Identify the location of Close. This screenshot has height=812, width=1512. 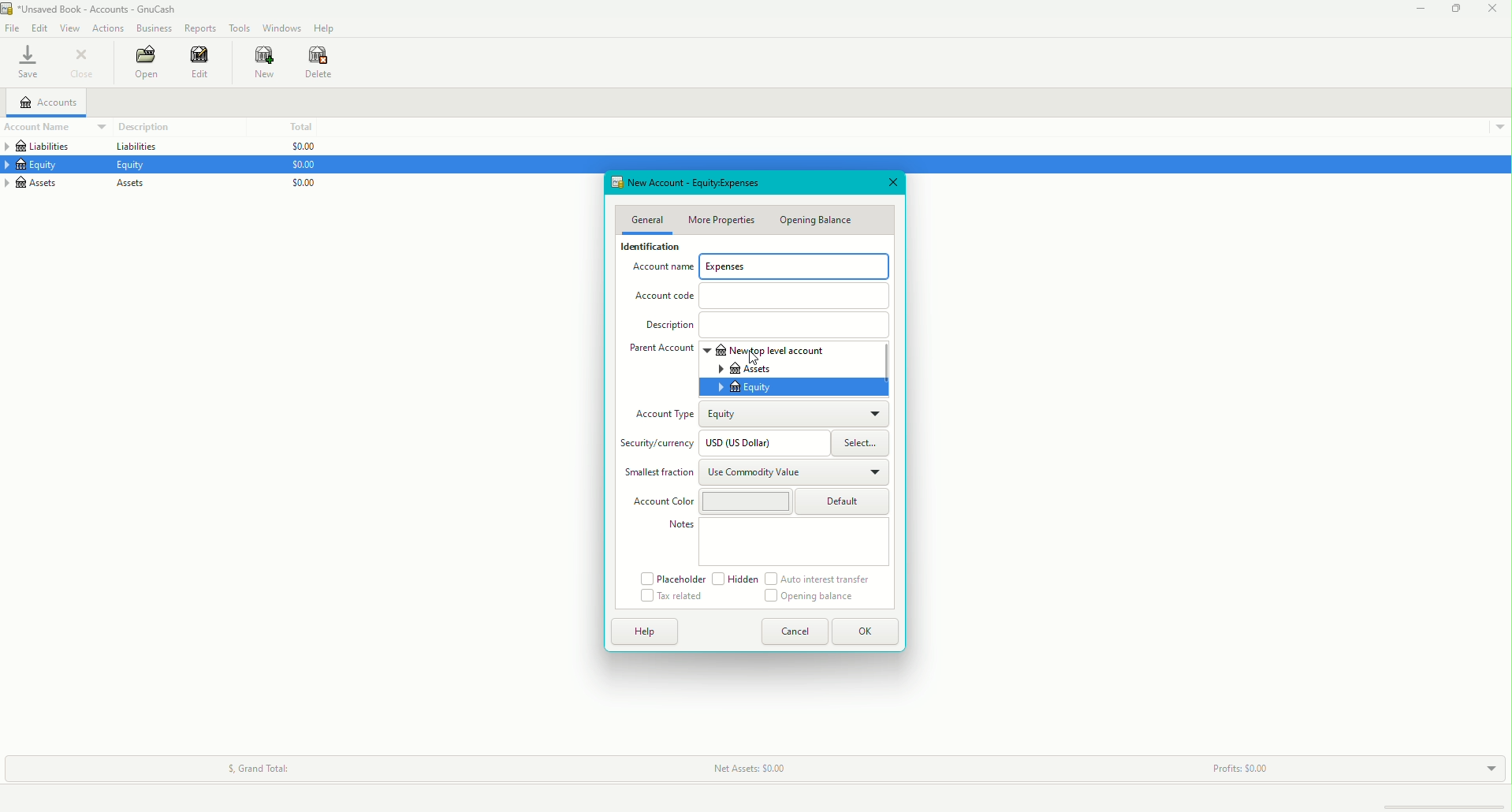
(892, 184).